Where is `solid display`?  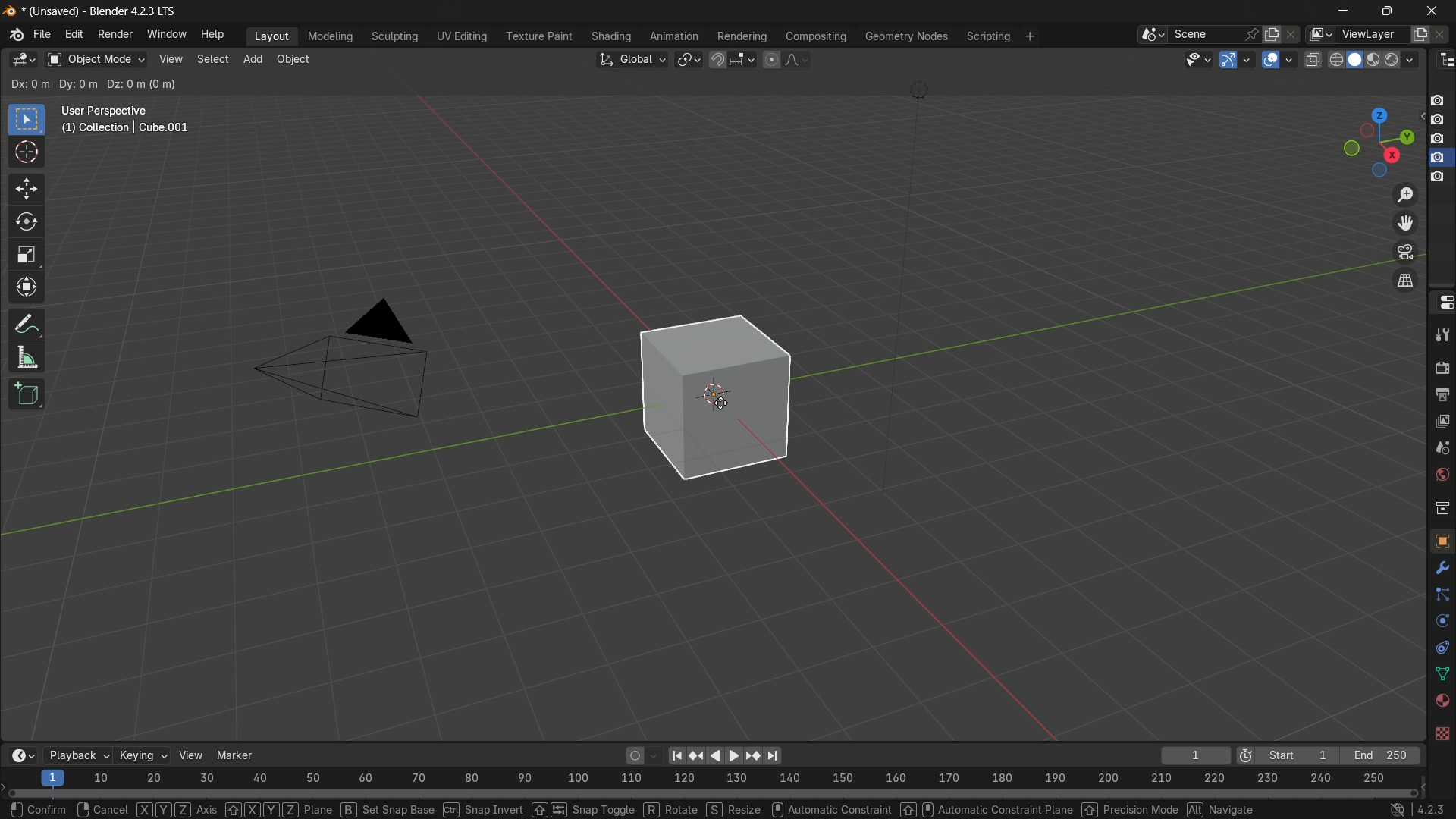
solid display is located at coordinates (1355, 59).